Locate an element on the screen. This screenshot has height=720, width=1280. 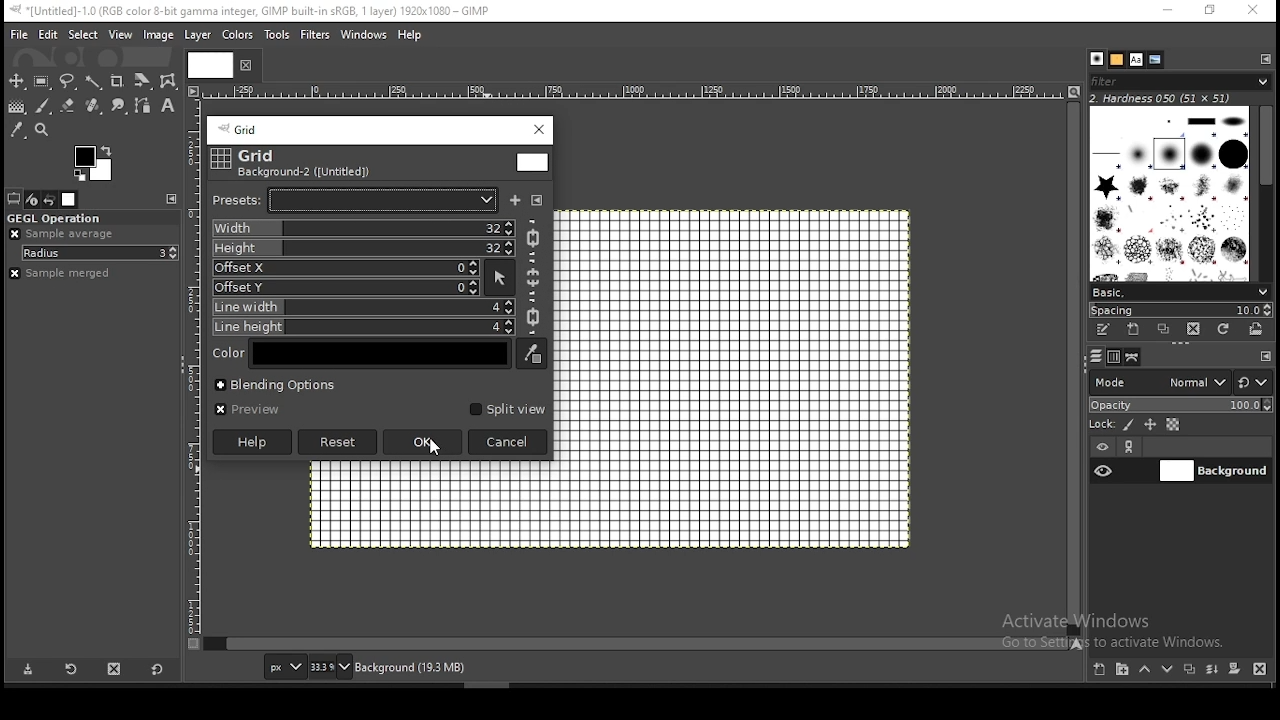
split view is located at coordinates (505, 409).